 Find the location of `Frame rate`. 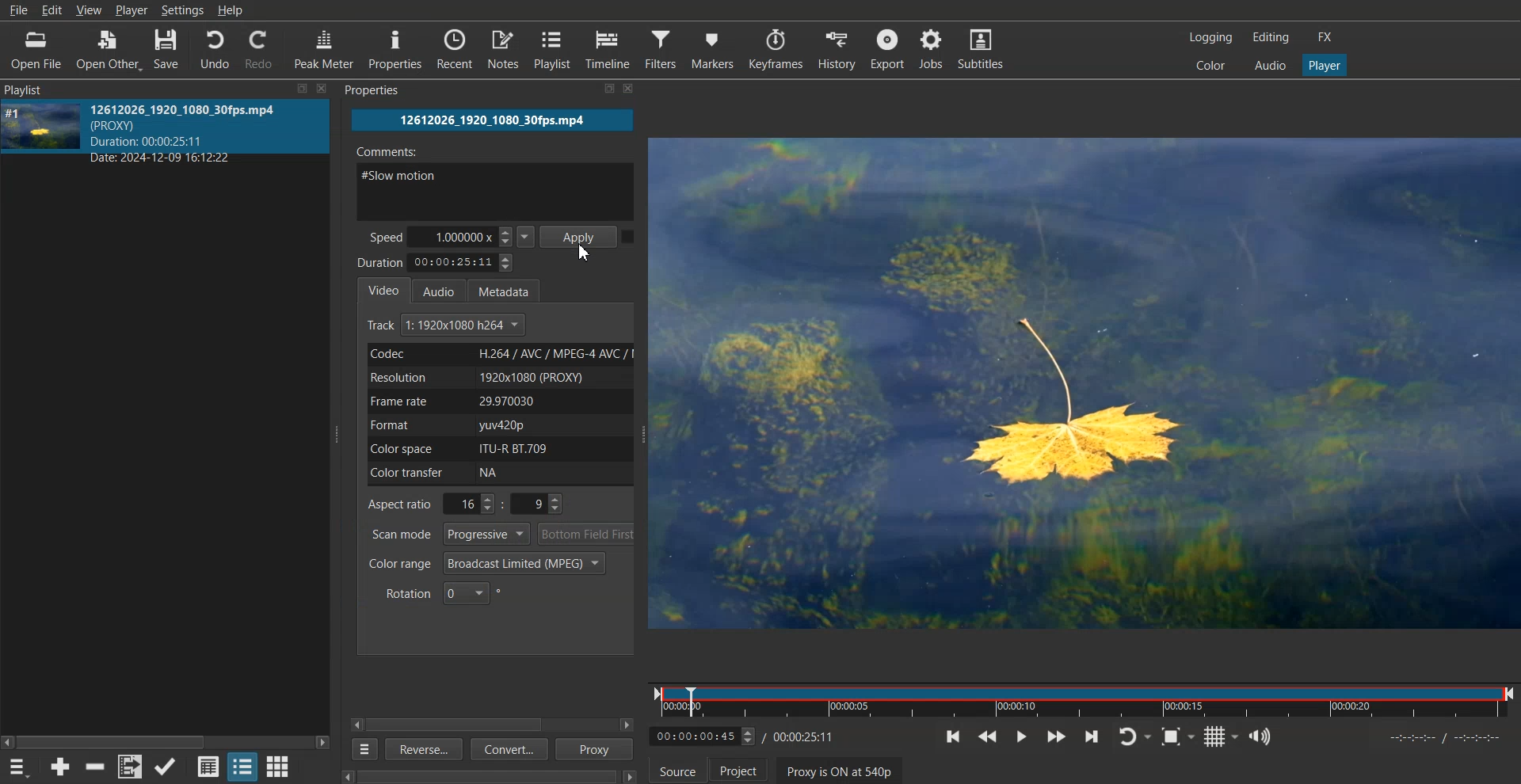

Frame rate is located at coordinates (497, 401).